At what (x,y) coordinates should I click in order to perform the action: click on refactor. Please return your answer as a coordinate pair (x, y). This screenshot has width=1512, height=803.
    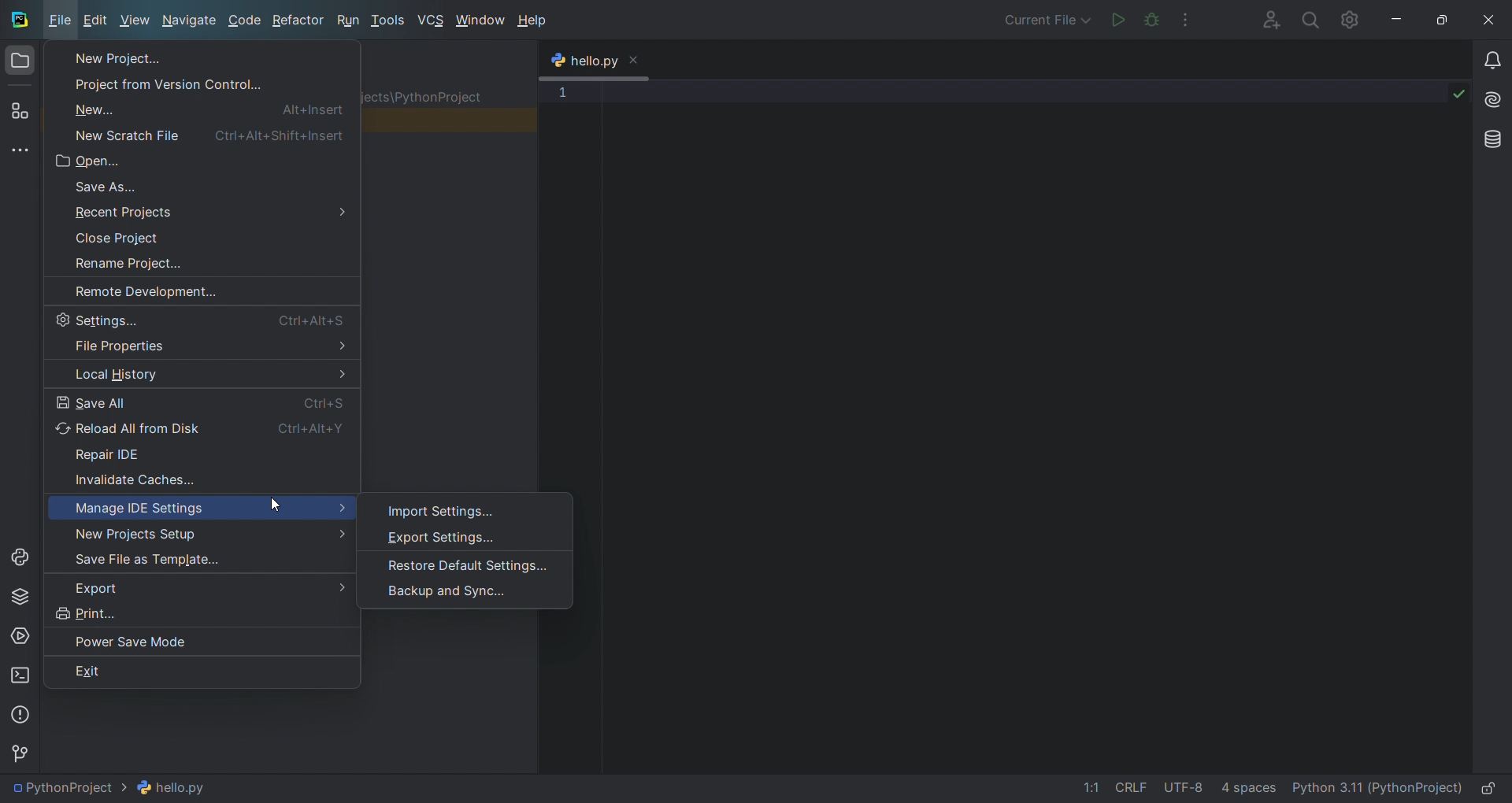
    Looking at the image, I should click on (298, 20).